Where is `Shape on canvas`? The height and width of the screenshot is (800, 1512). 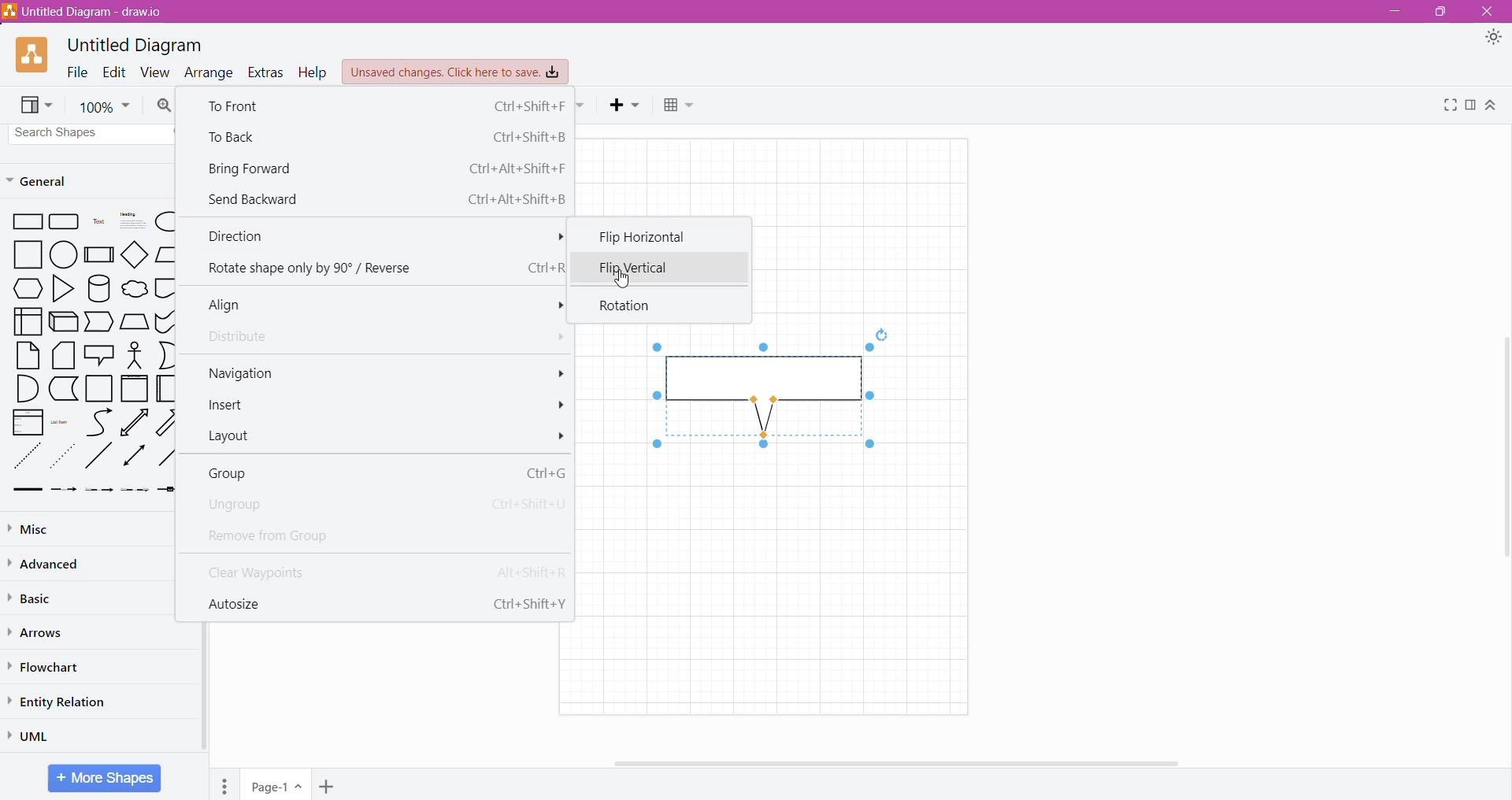
Shape on canvas is located at coordinates (762, 397).